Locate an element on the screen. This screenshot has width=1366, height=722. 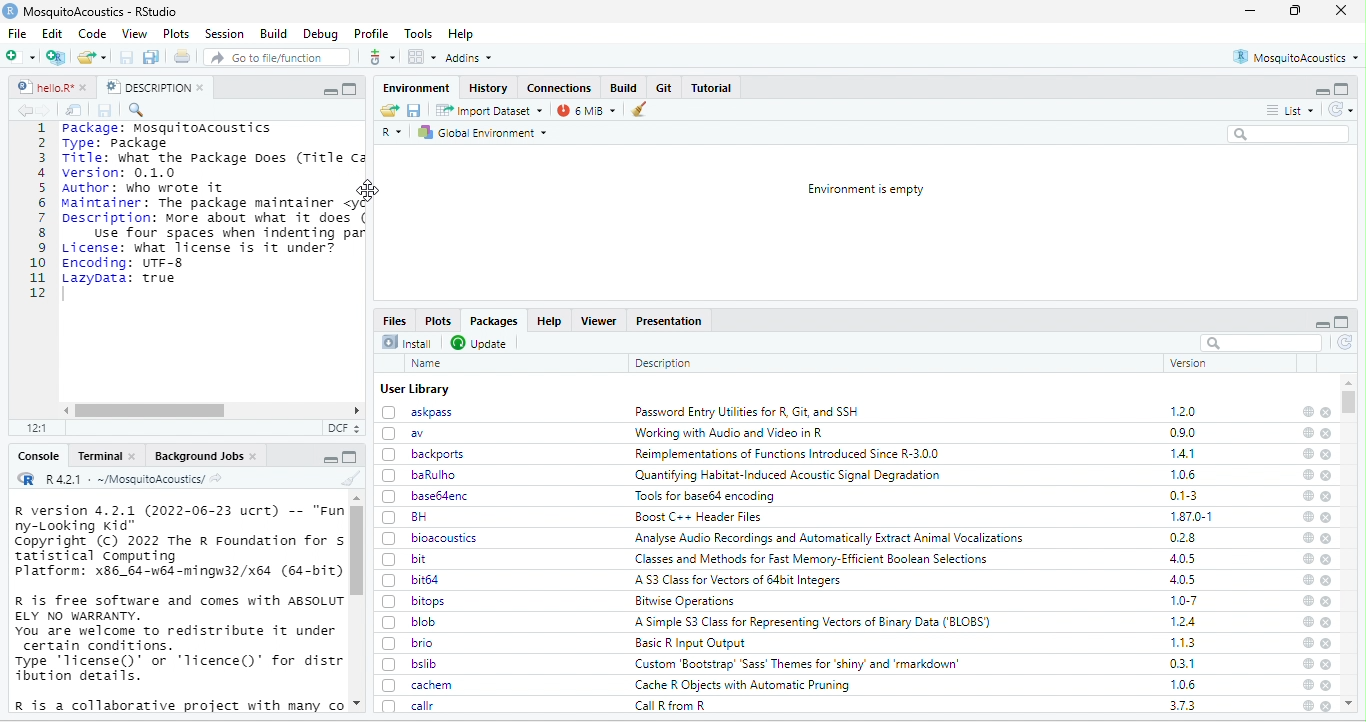
Addins is located at coordinates (469, 57).